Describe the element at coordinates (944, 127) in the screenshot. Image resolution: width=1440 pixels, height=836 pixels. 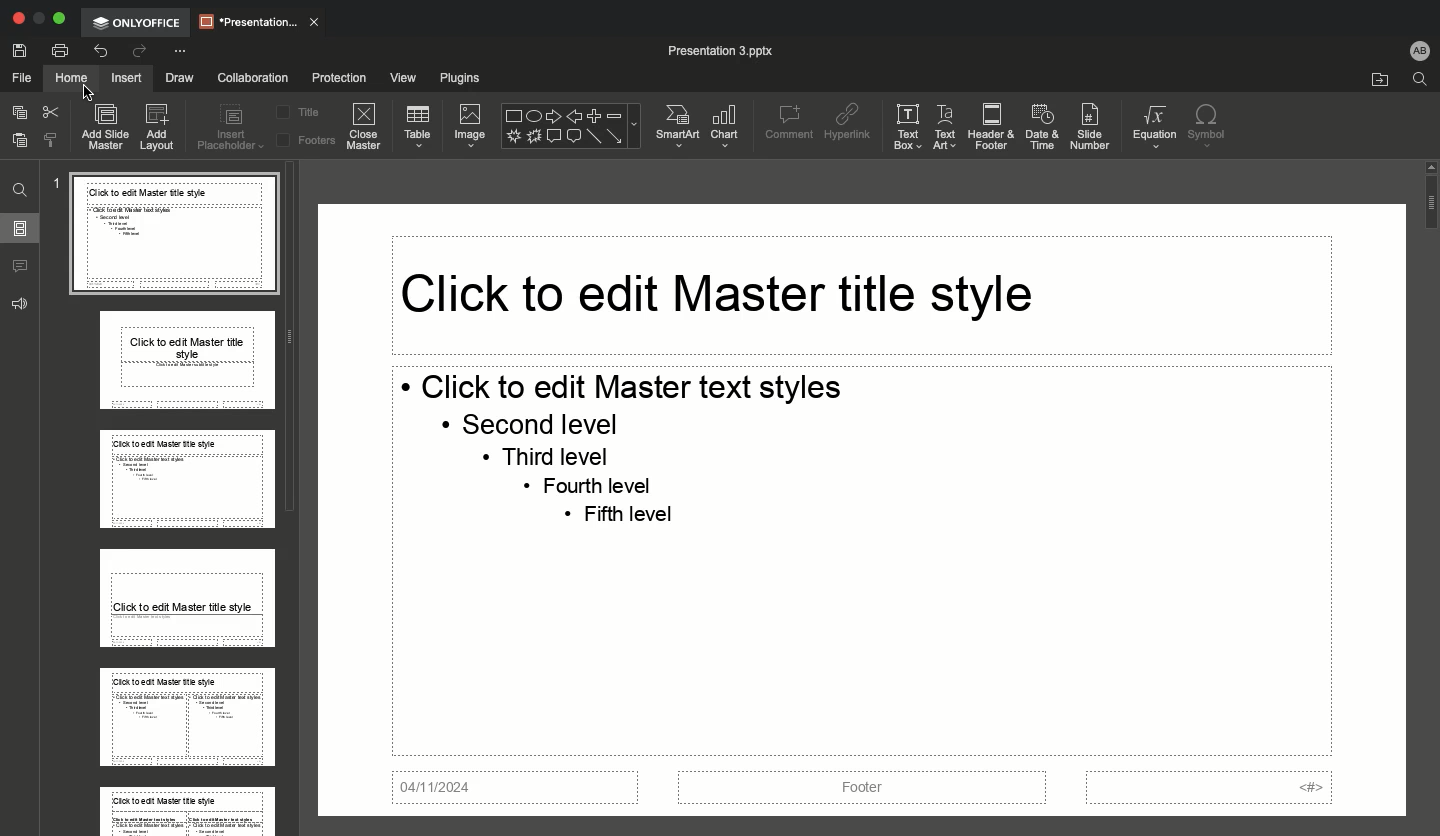
I see `Text art` at that location.